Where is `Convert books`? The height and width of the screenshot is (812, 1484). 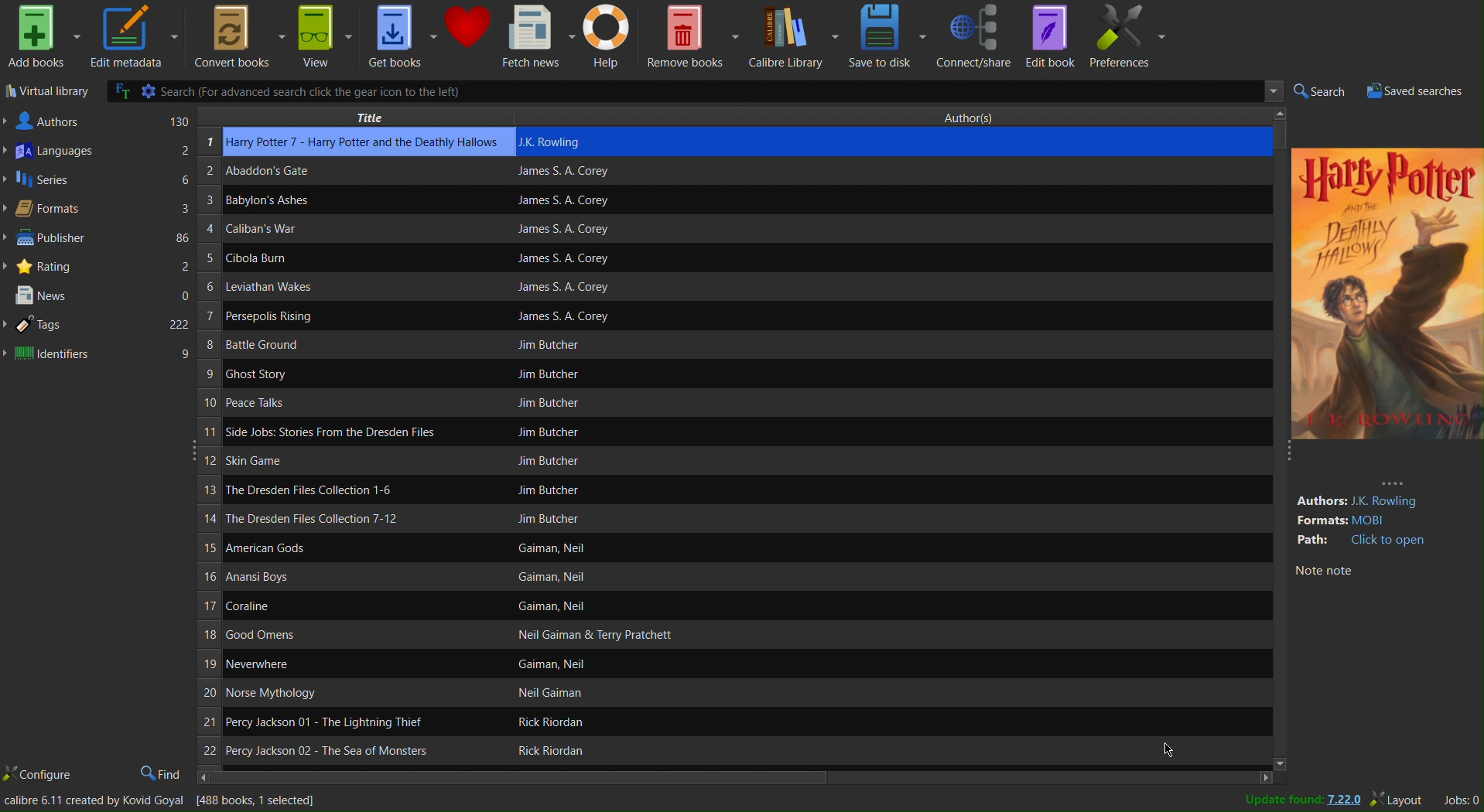 Convert books is located at coordinates (235, 36).